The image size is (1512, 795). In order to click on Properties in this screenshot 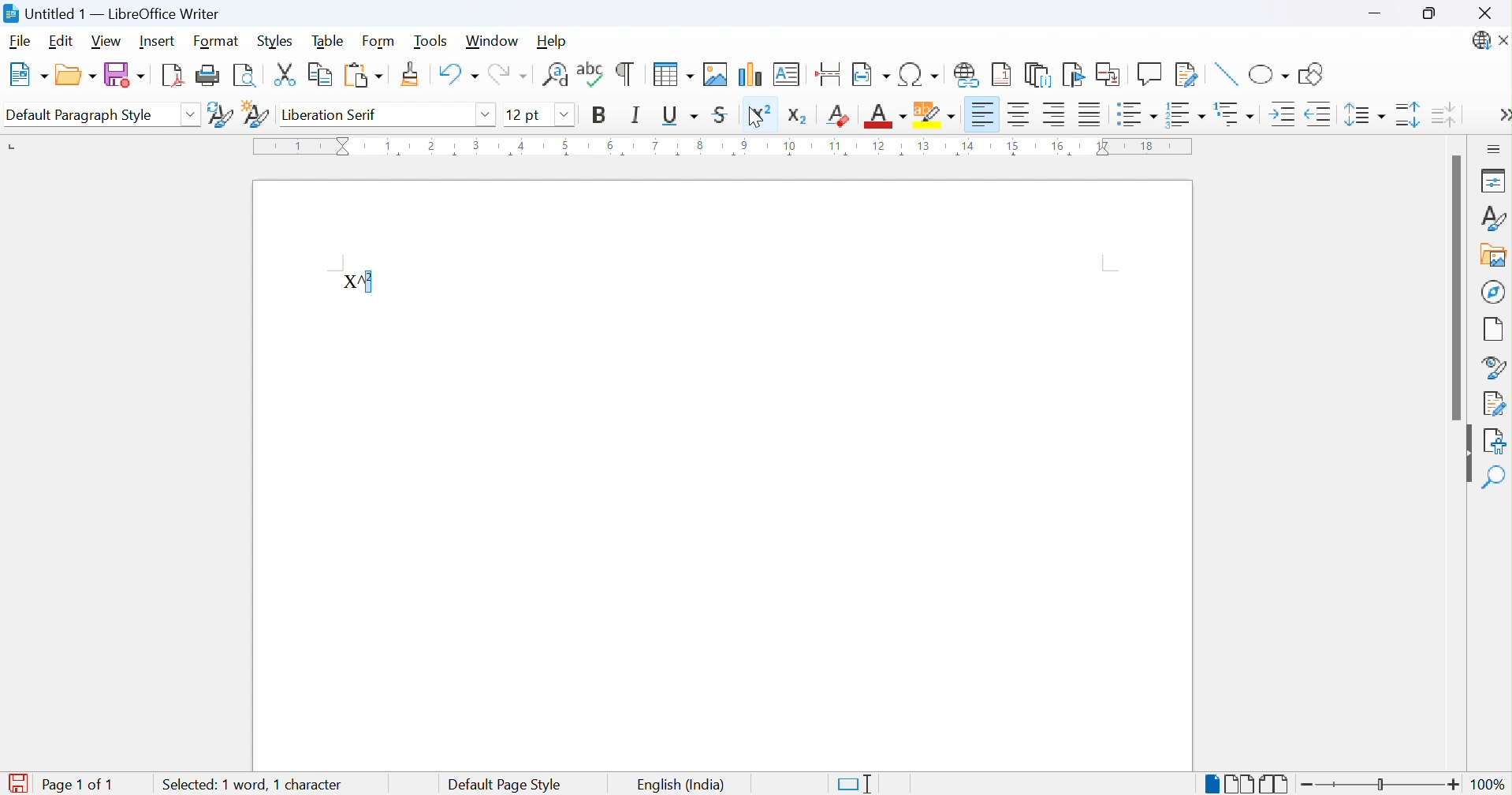, I will do `click(1495, 182)`.